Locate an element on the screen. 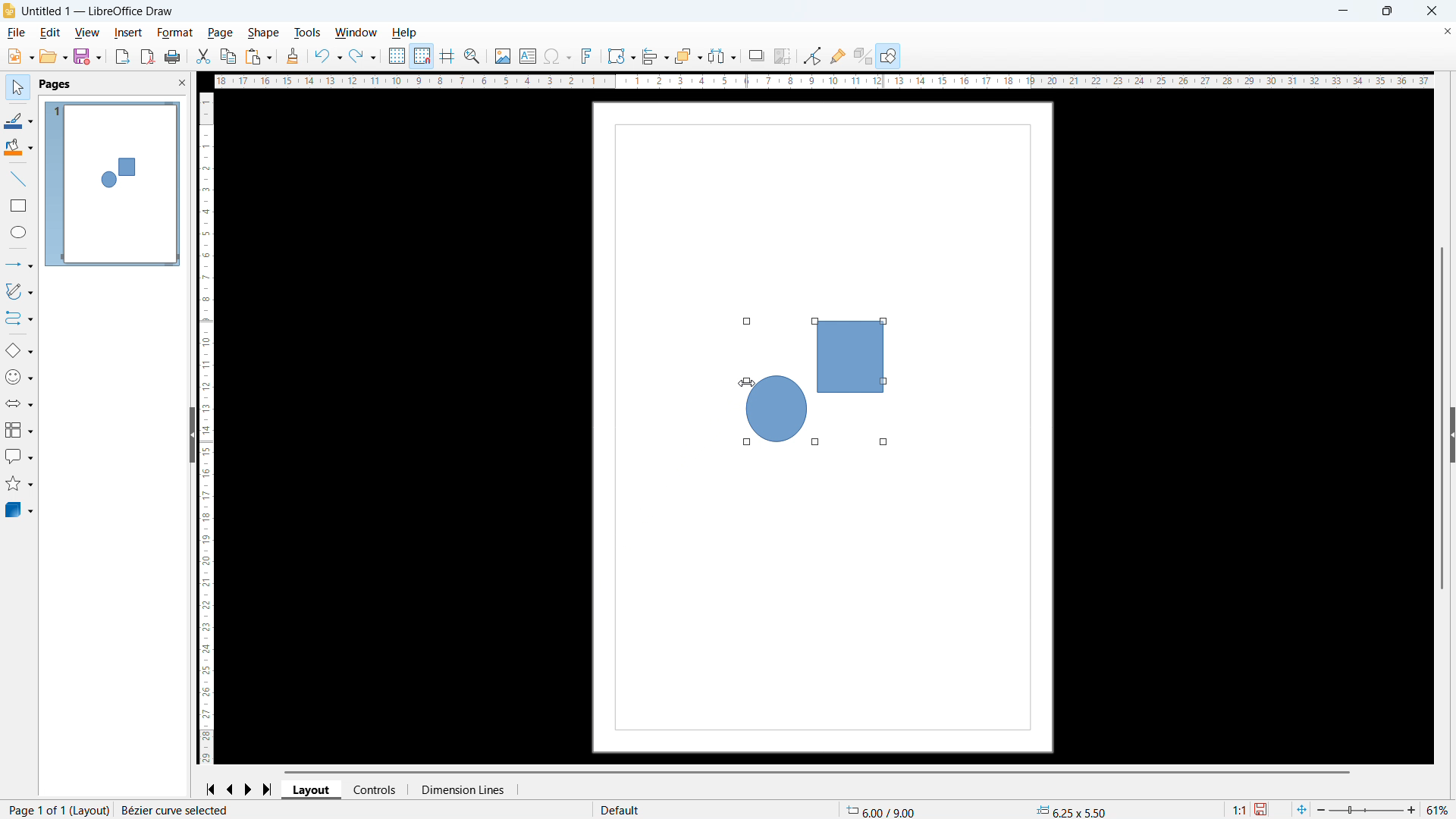 Image resolution: width=1456 pixels, height=819 pixels. Vertical ruler  is located at coordinates (205, 429).